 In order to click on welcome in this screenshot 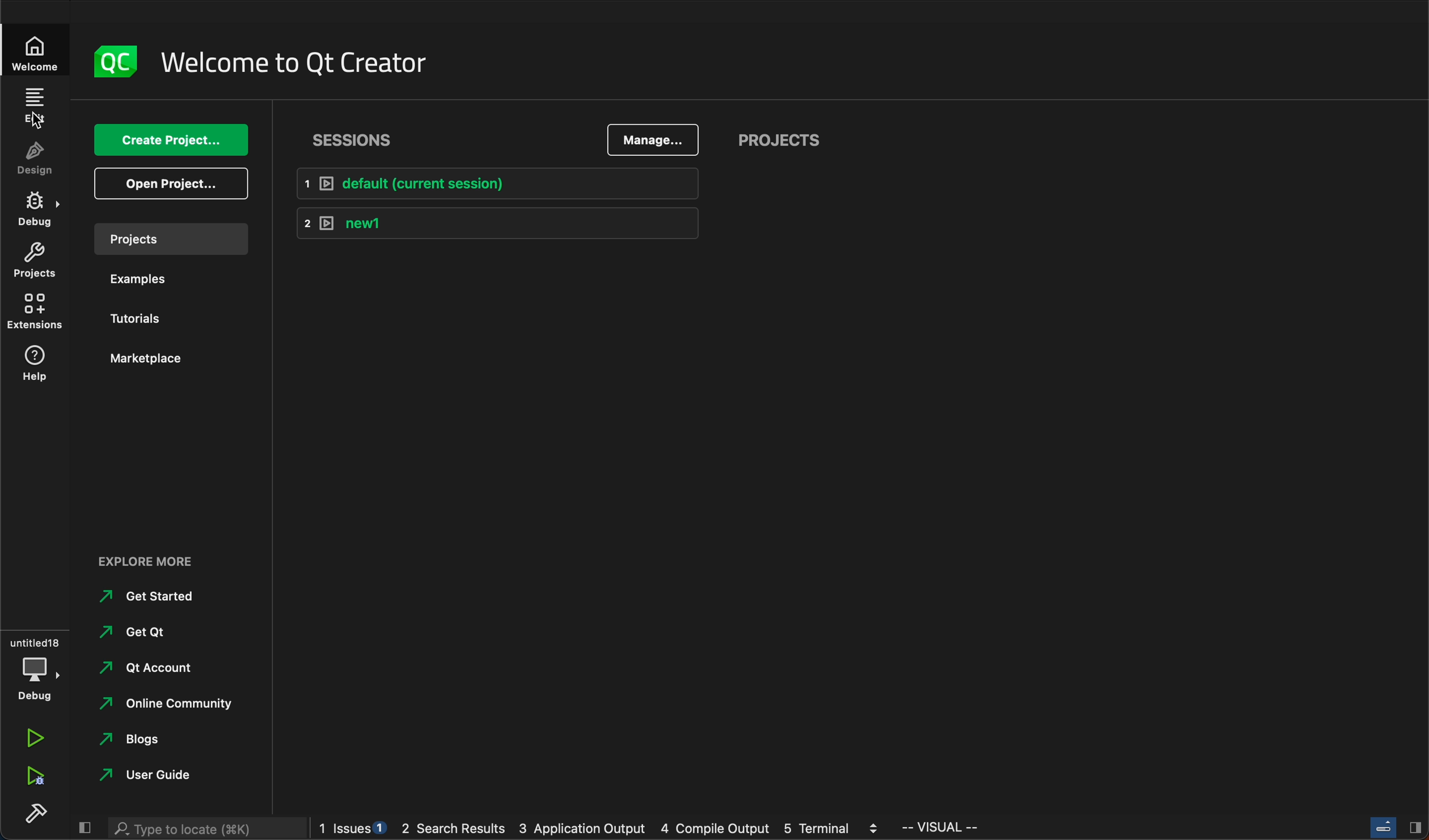, I will do `click(36, 52)`.